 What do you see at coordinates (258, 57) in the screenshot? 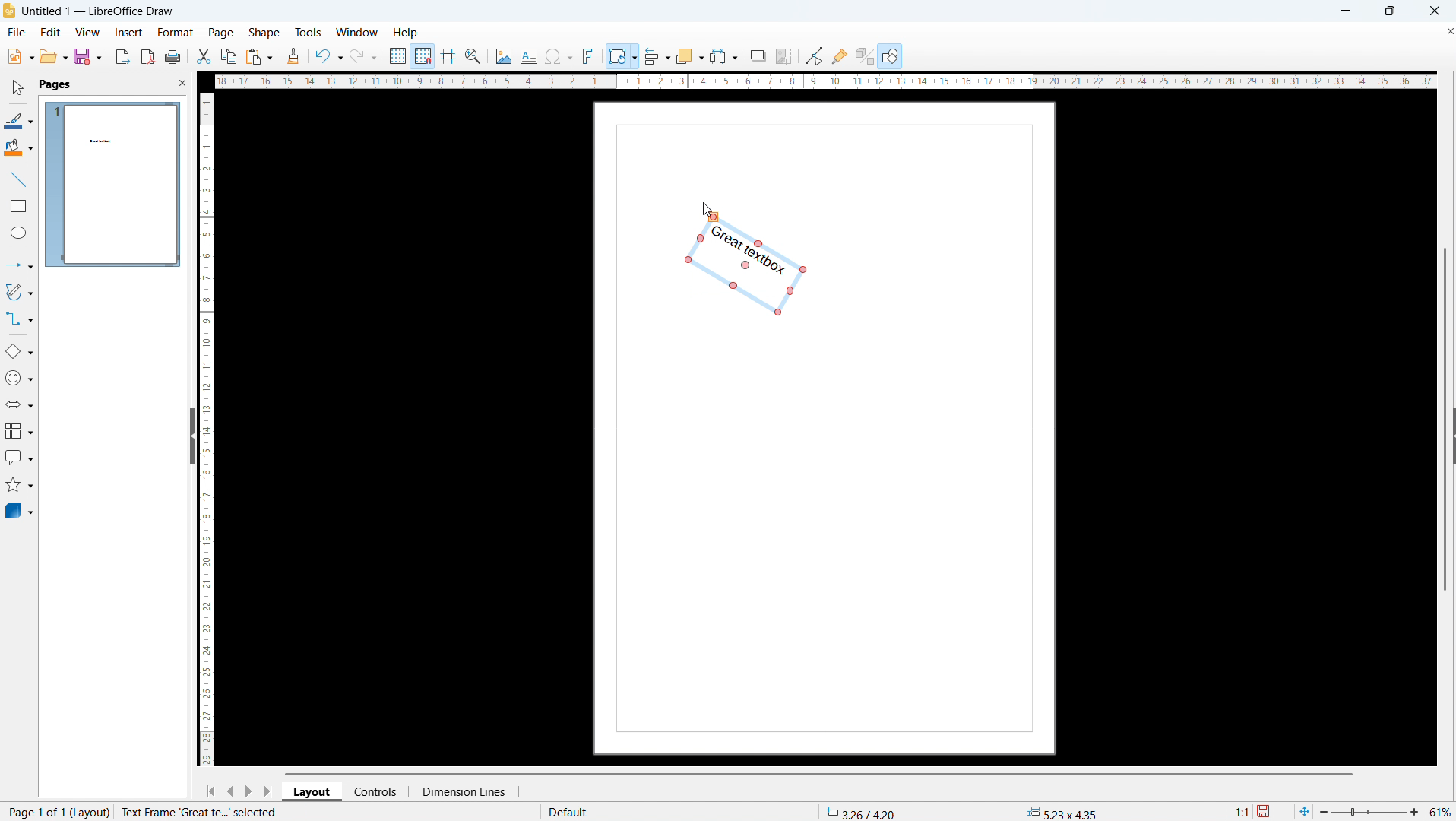
I see `paste` at bounding box center [258, 57].